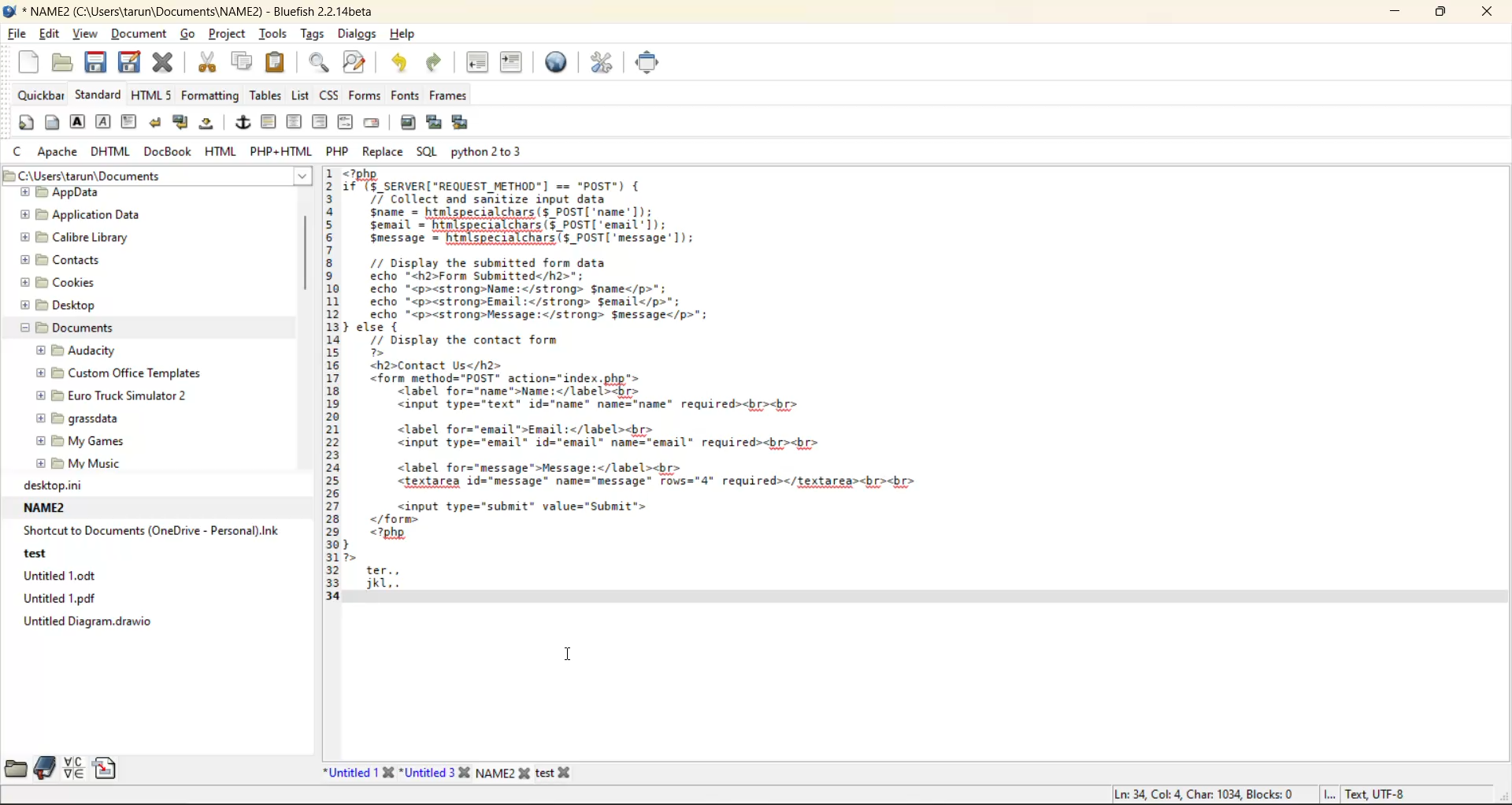  What do you see at coordinates (63, 329) in the screenshot?
I see `Documents` at bounding box center [63, 329].